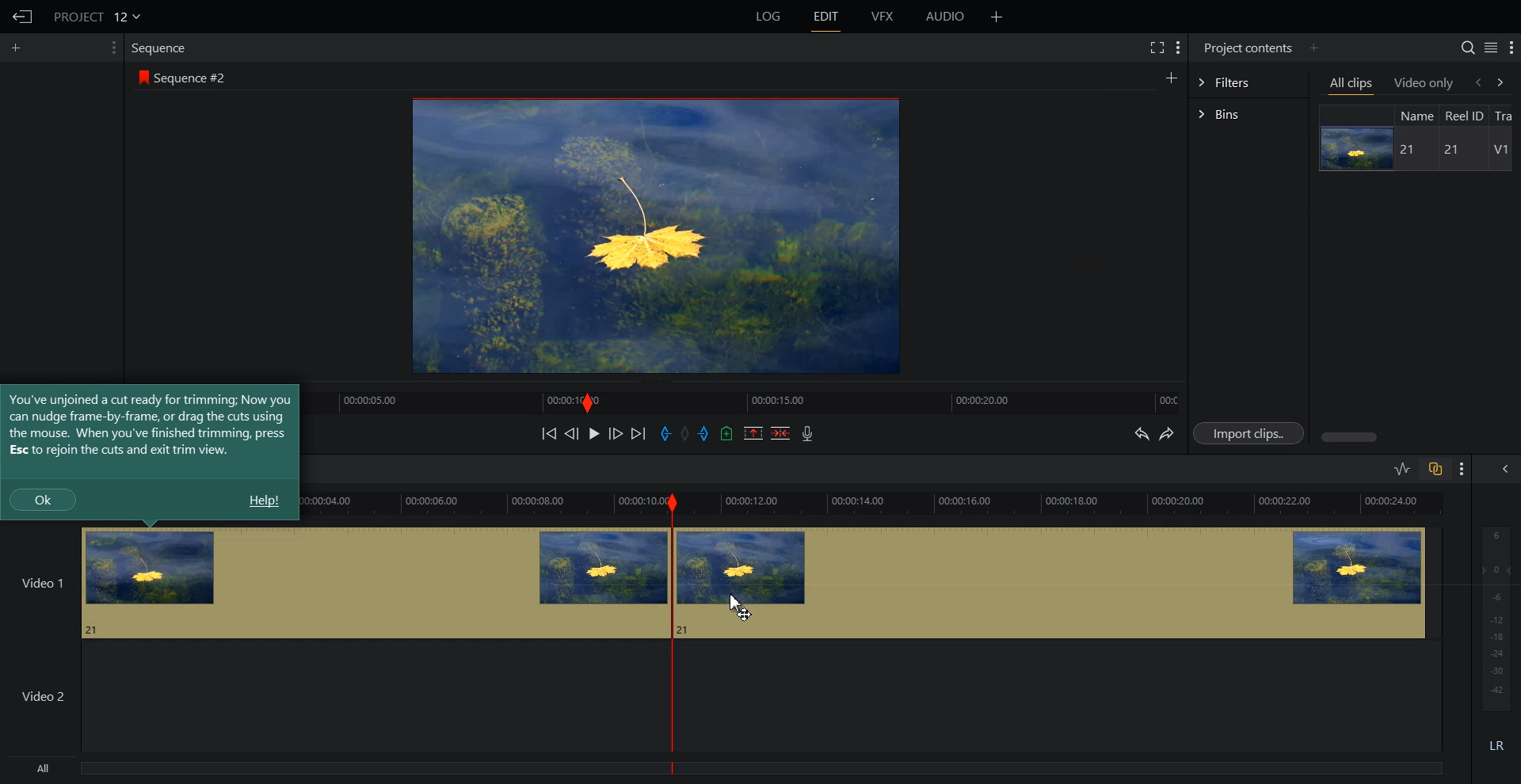  I want to click on Help!, so click(263, 500).